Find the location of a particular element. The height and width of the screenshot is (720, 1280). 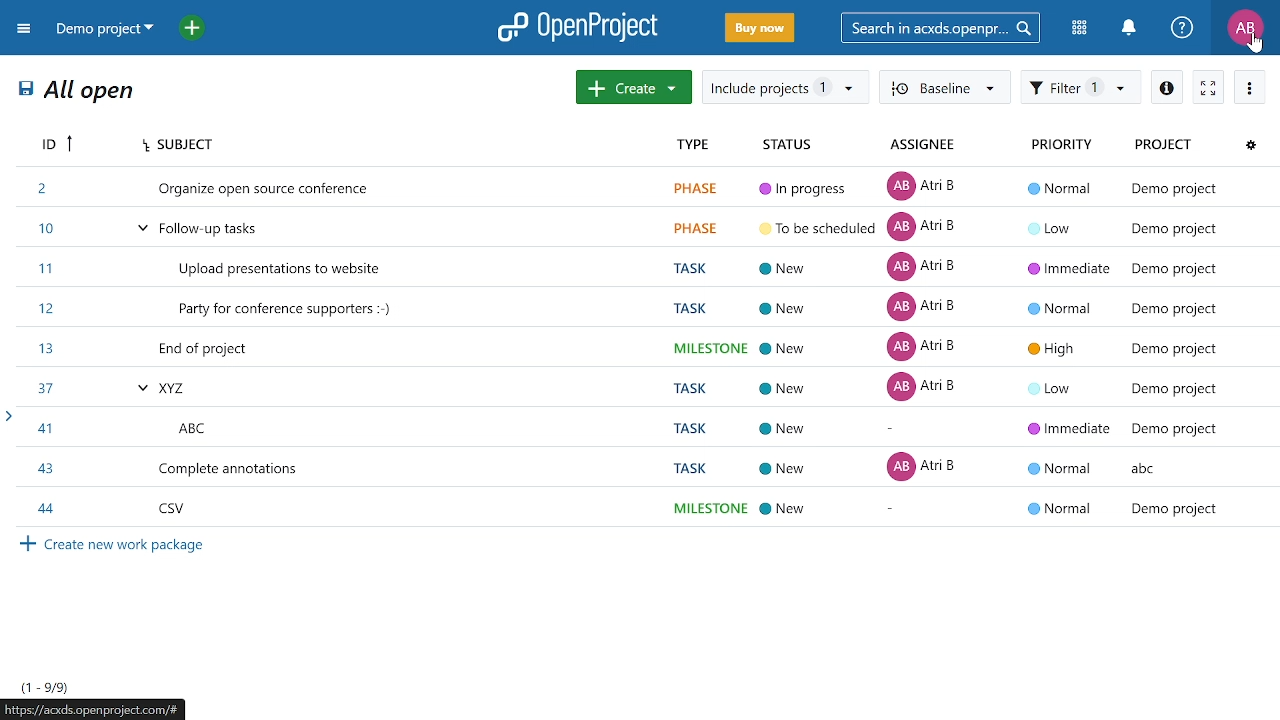

cursor is located at coordinates (1258, 44).